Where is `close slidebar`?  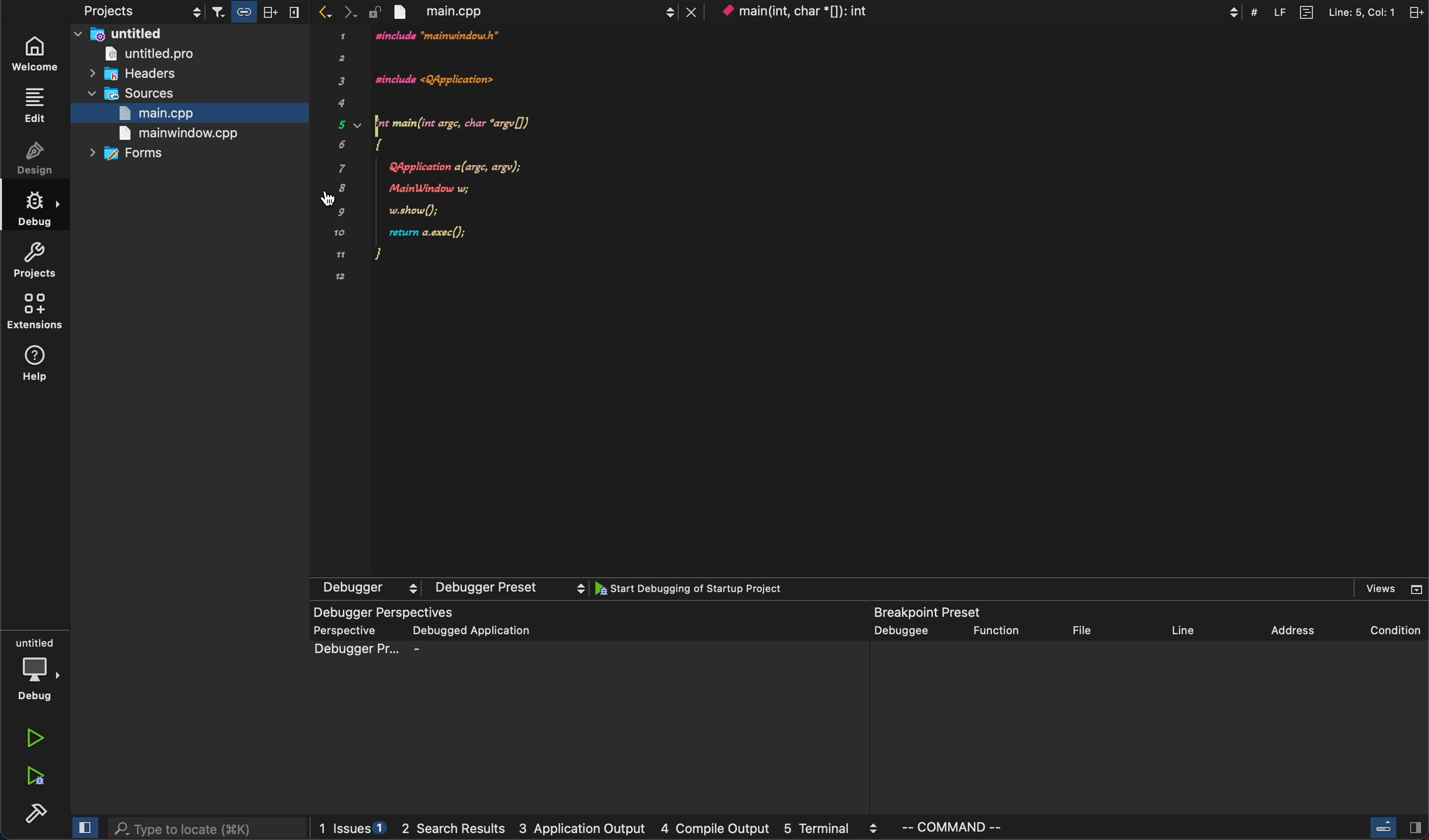
close slidebar is located at coordinates (82, 828).